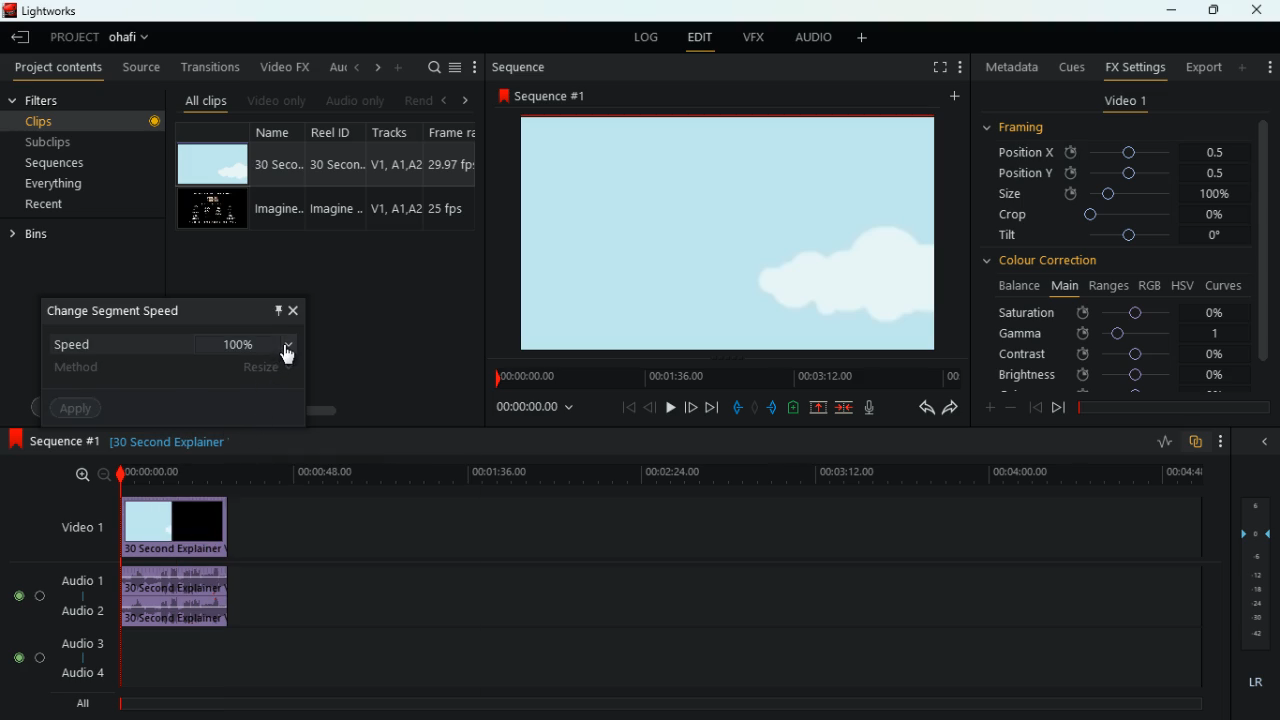 This screenshot has width=1280, height=720. What do you see at coordinates (73, 187) in the screenshot?
I see `everything` at bounding box center [73, 187].